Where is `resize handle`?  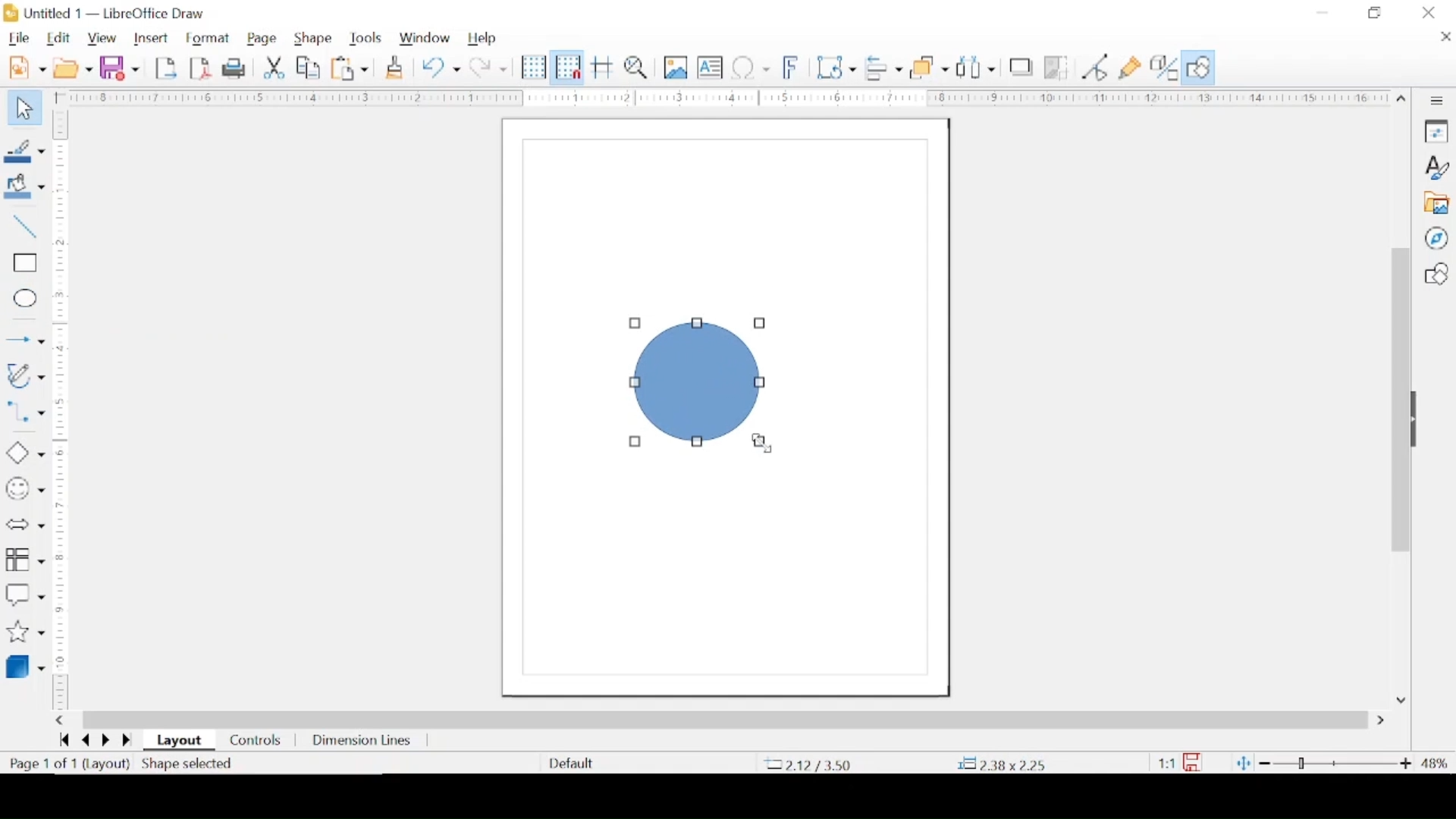
resize handle is located at coordinates (761, 324).